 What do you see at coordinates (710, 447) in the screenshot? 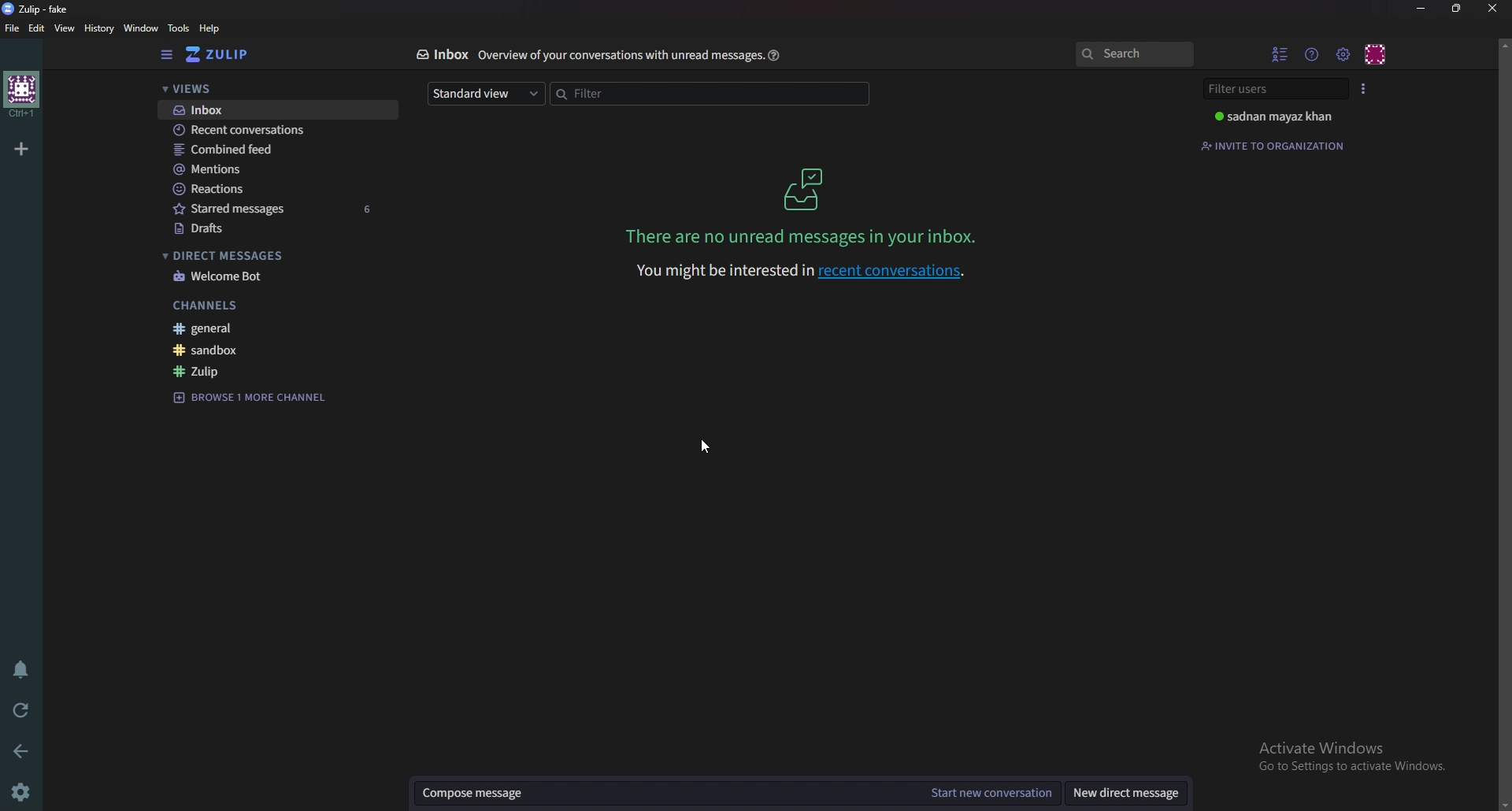
I see `Cursor` at bounding box center [710, 447].